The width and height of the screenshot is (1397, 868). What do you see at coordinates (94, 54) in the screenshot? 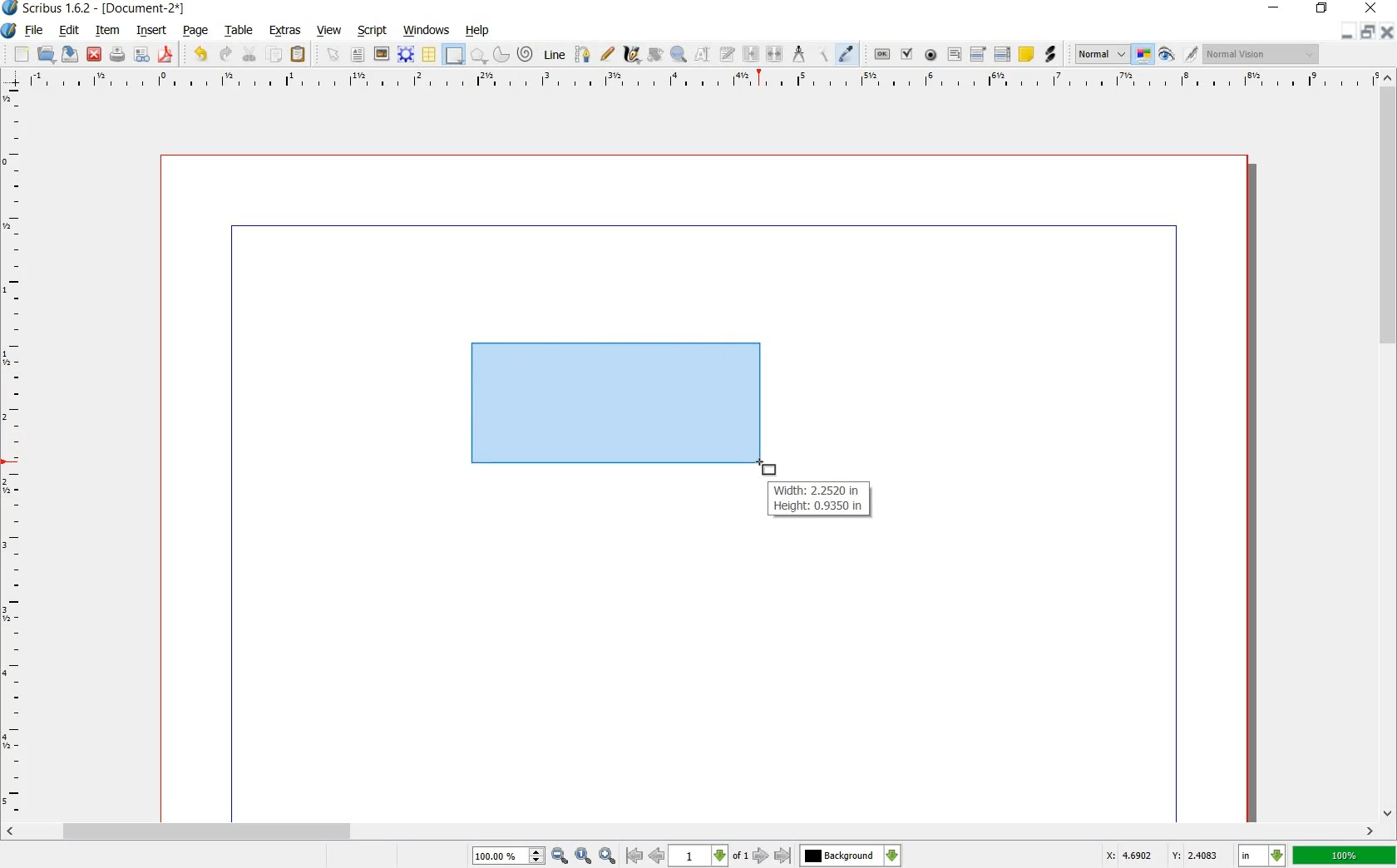
I see `CLOSE` at bounding box center [94, 54].